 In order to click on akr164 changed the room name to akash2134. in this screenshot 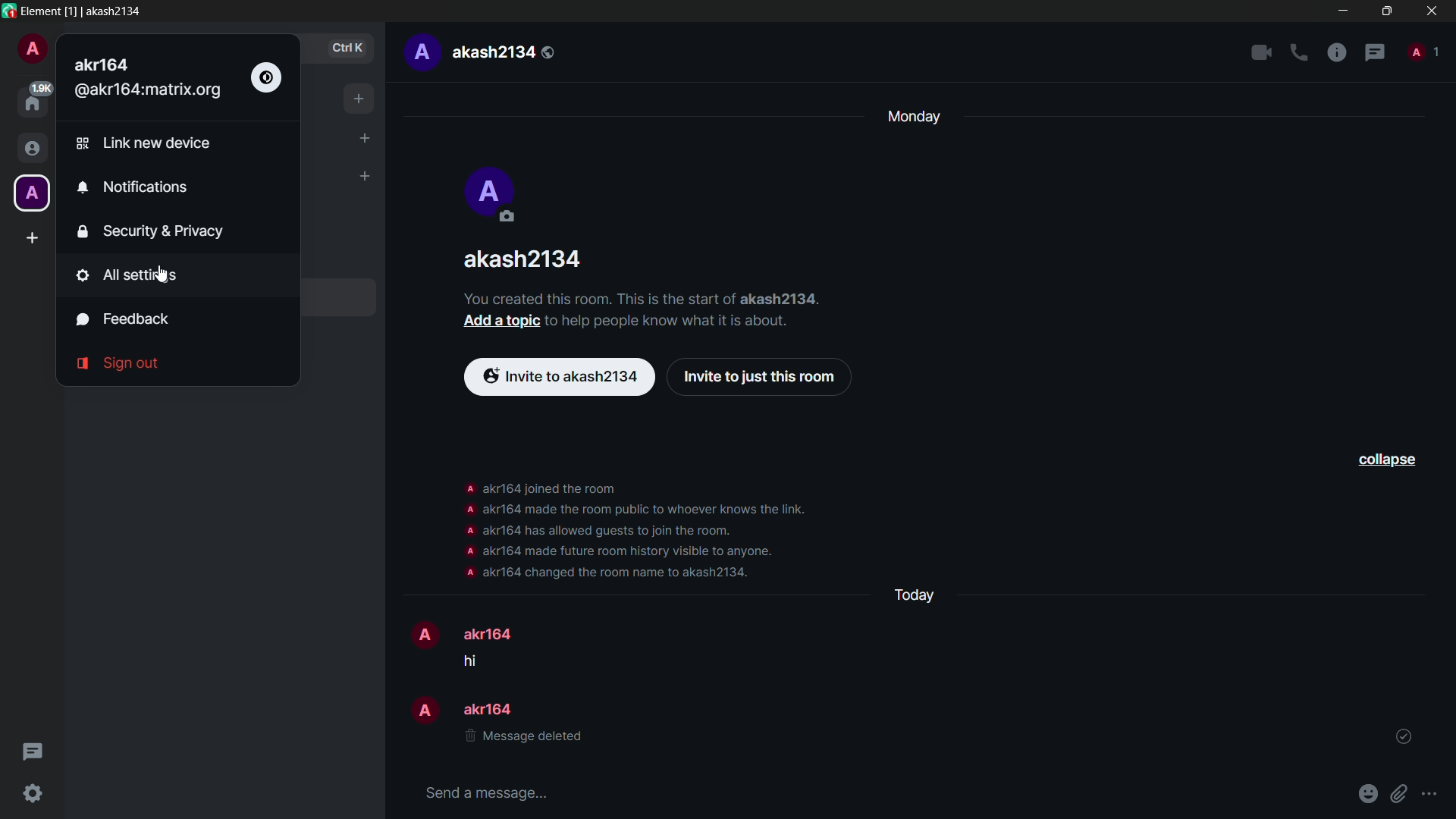, I will do `click(617, 573)`.